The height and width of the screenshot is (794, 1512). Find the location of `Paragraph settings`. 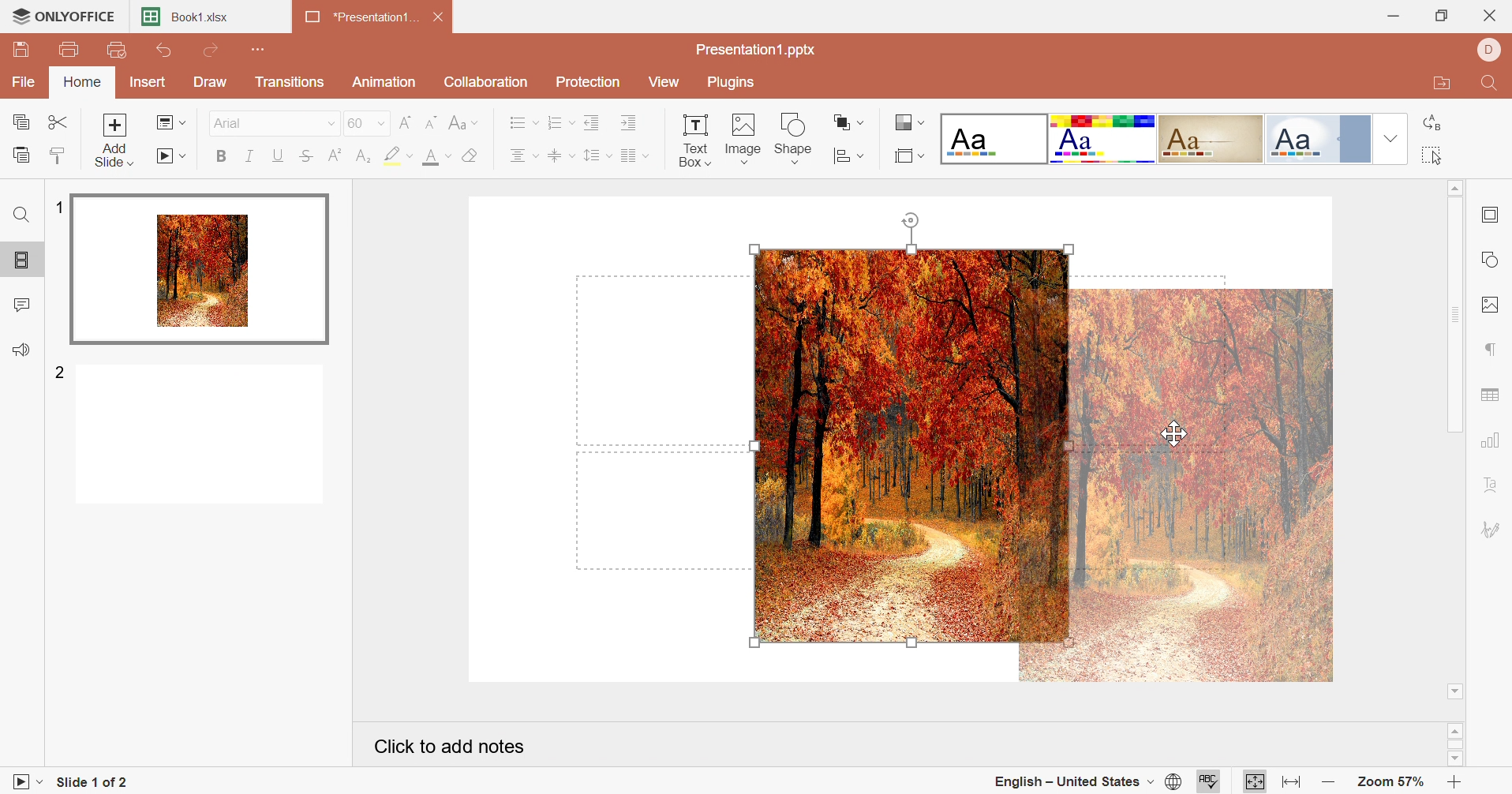

Paragraph settings is located at coordinates (1488, 347).